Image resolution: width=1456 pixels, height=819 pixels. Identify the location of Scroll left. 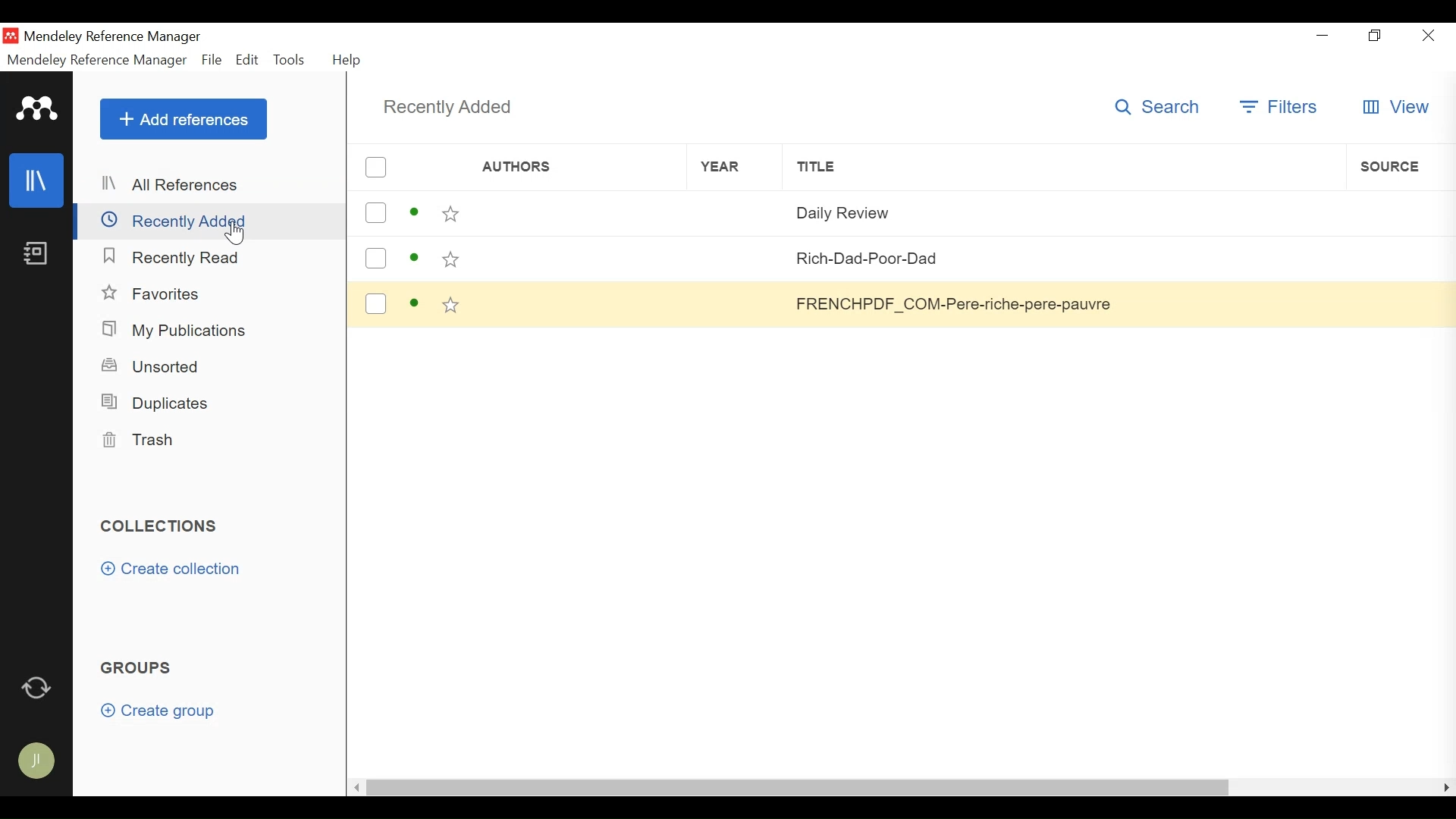
(353, 789).